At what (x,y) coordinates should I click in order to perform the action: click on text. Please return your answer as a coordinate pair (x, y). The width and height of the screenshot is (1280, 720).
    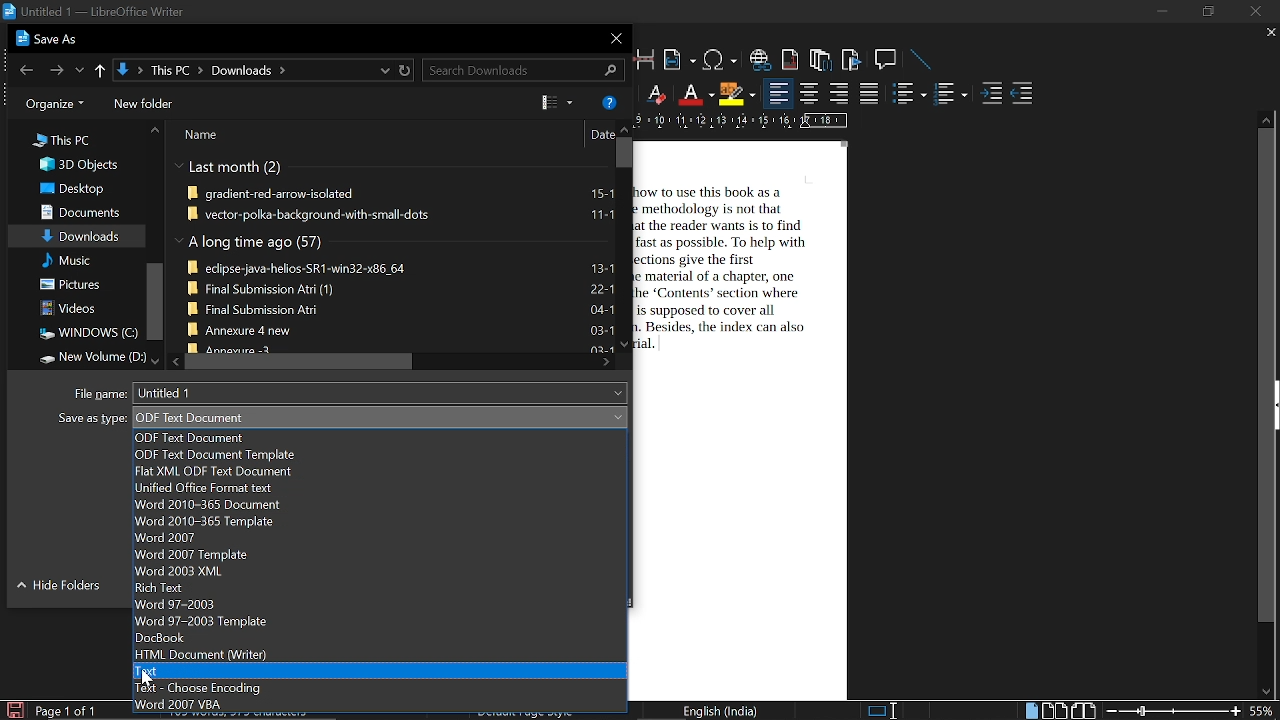
    Looking at the image, I should click on (377, 671).